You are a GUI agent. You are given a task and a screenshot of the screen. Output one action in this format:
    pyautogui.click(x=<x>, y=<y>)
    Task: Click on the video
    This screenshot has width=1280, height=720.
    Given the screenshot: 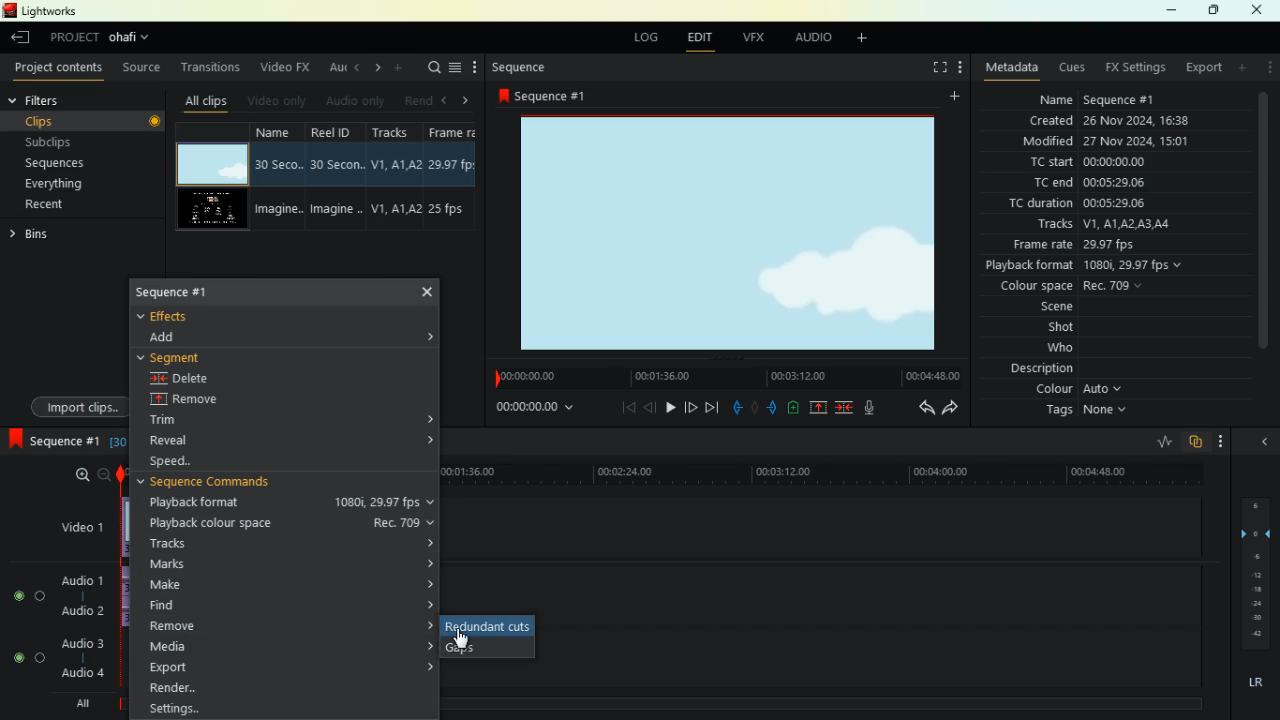 What is the action you would take?
    pyautogui.click(x=73, y=524)
    